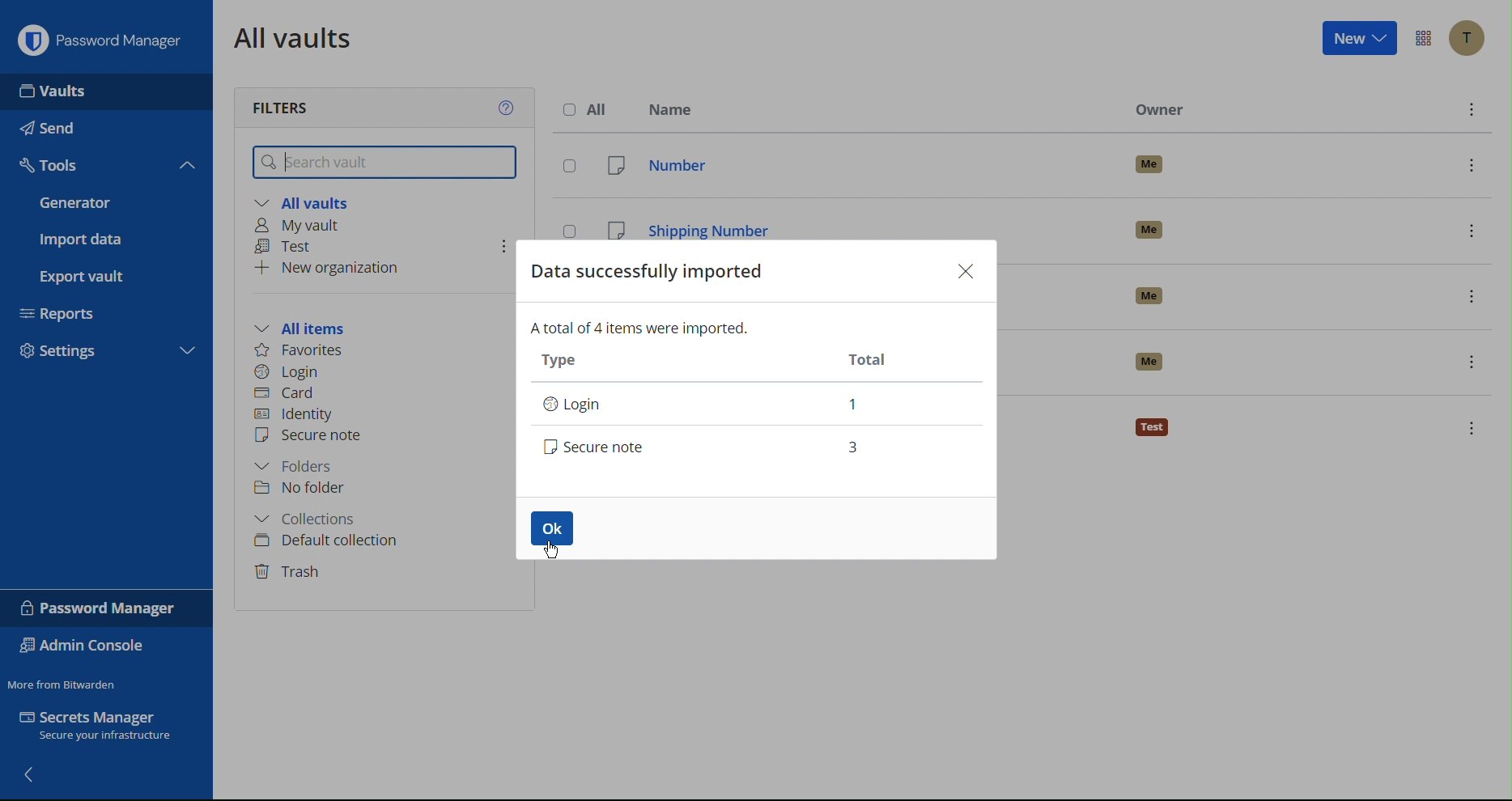 The width and height of the screenshot is (1512, 801). Describe the element at coordinates (1424, 39) in the screenshot. I see `More Options` at that location.